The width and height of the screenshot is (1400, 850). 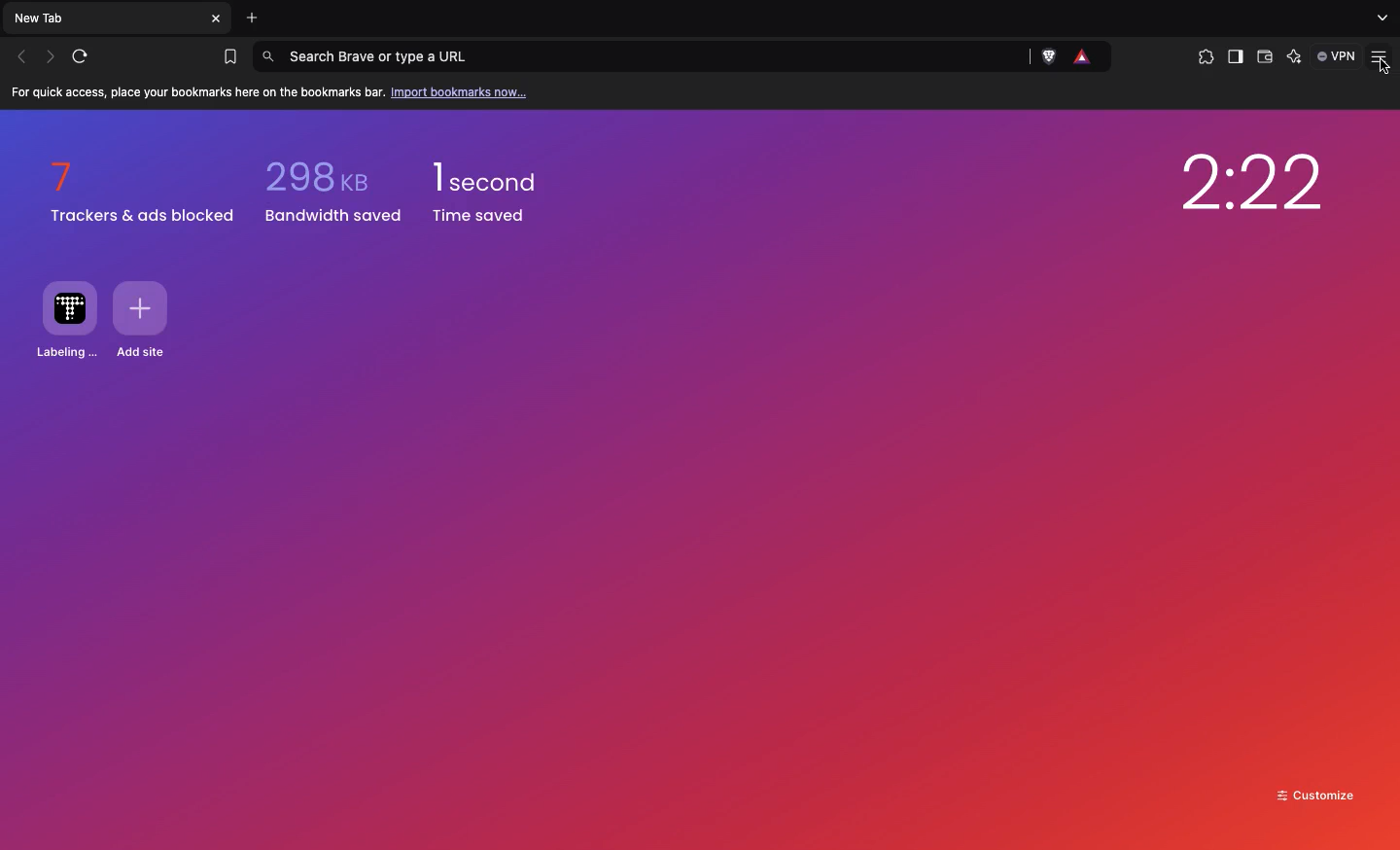 What do you see at coordinates (141, 194) in the screenshot?
I see `7 trackers & ads blocked` at bounding box center [141, 194].